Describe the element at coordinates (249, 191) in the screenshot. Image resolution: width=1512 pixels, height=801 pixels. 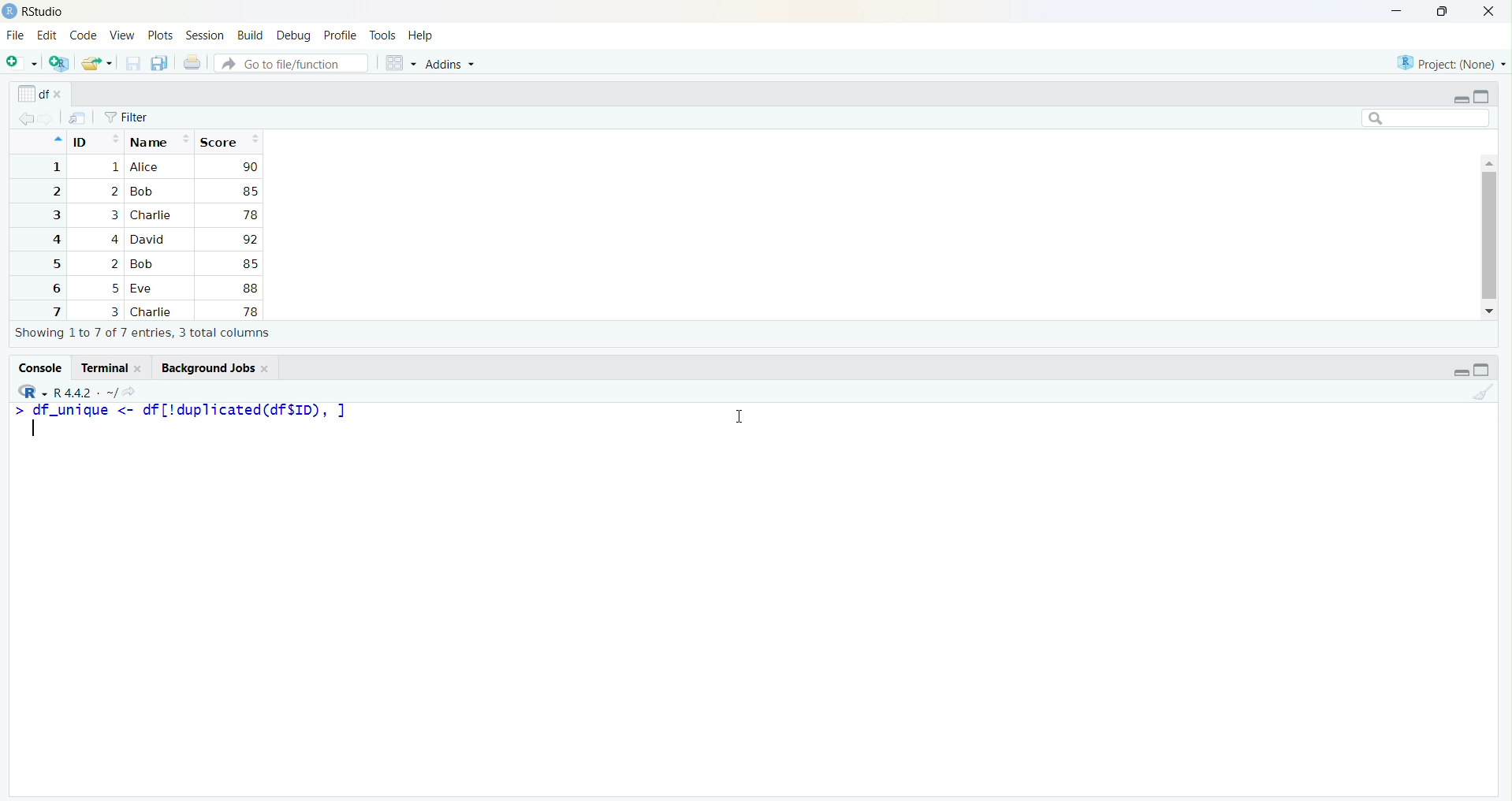
I see `85` at that location.